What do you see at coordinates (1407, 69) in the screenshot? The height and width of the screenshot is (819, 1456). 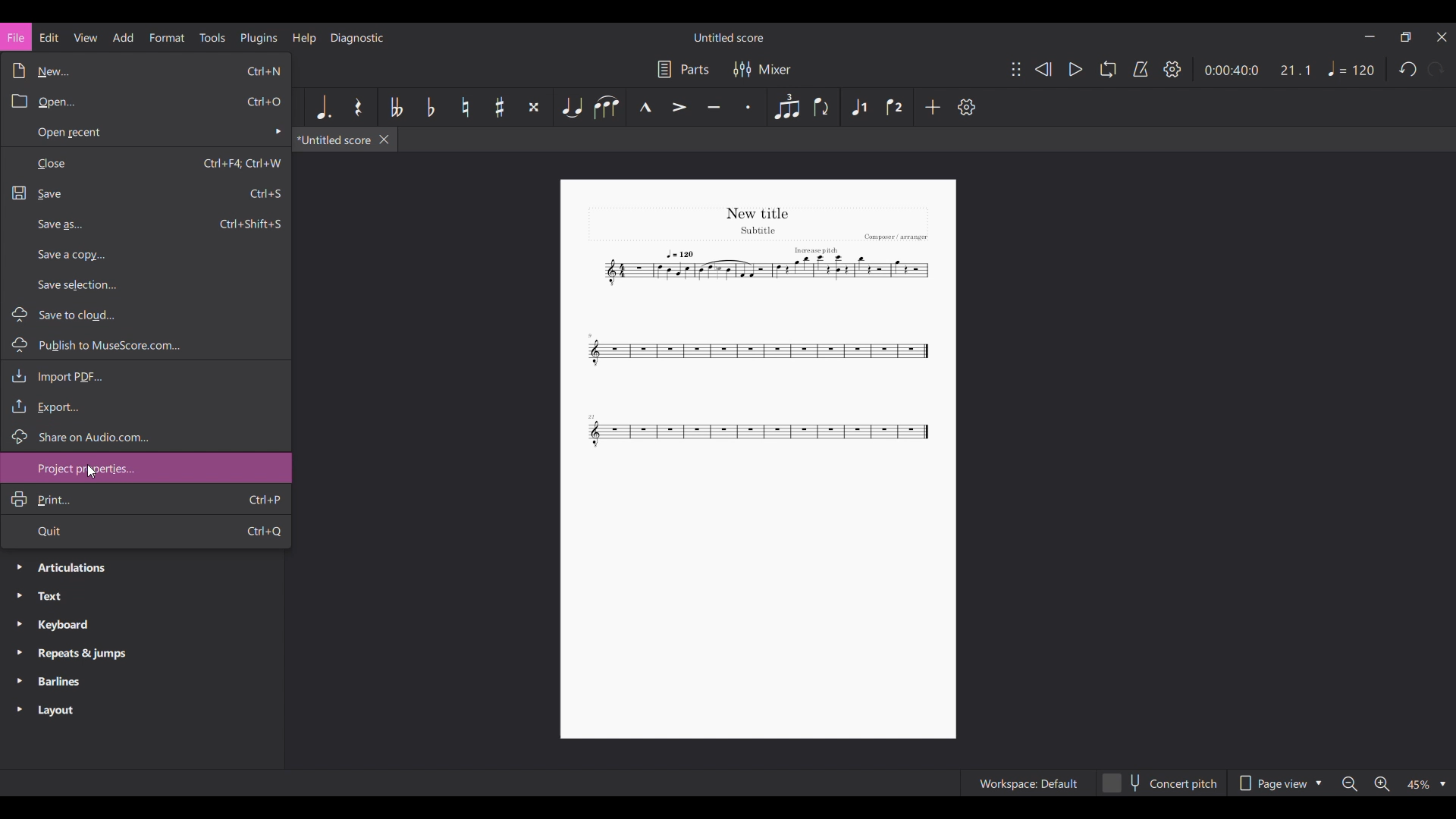 I see `Undo` at bounding box center [1407, 69].